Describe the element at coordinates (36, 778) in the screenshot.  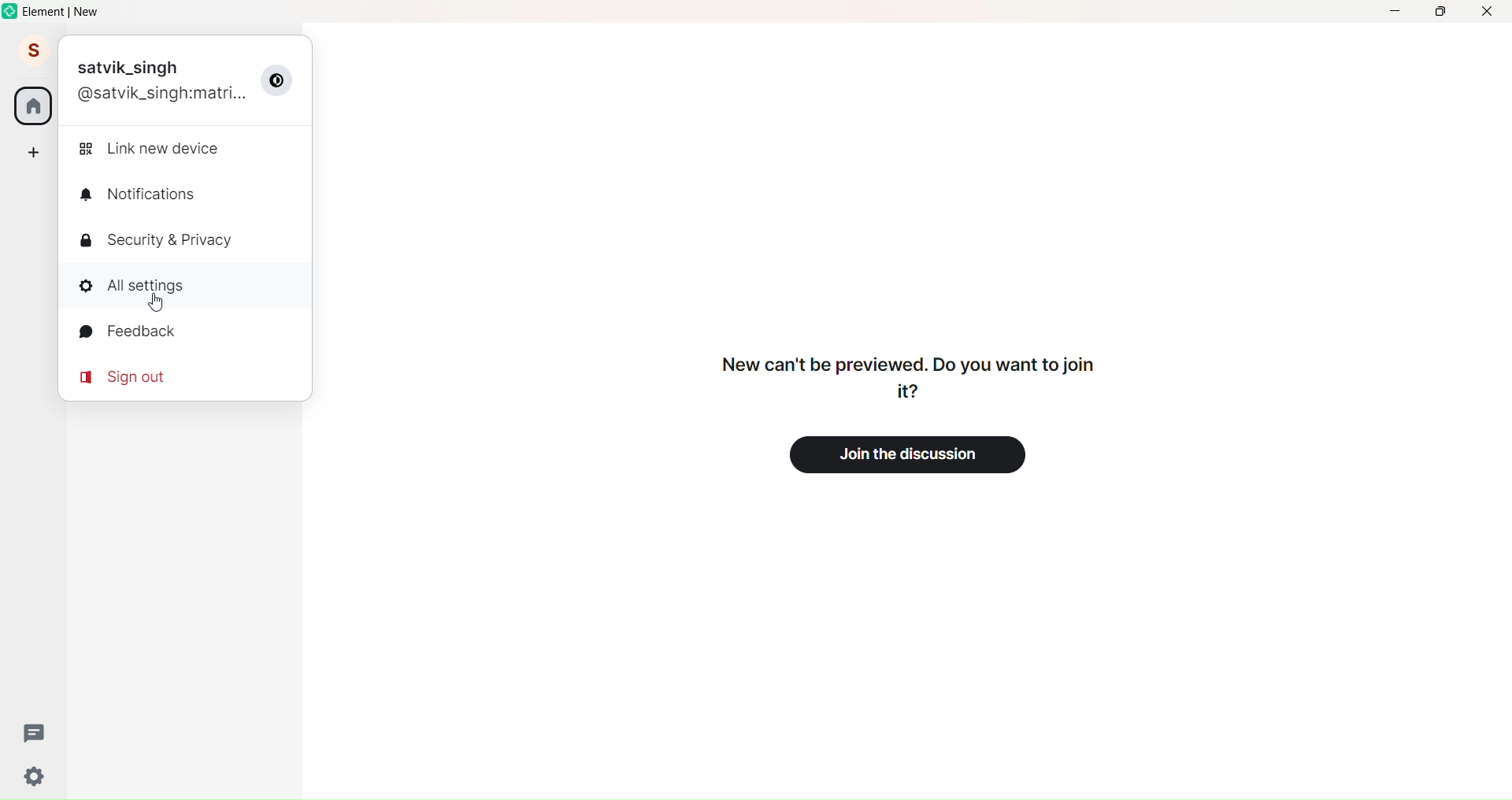
I see `Quick Setting` at that location.